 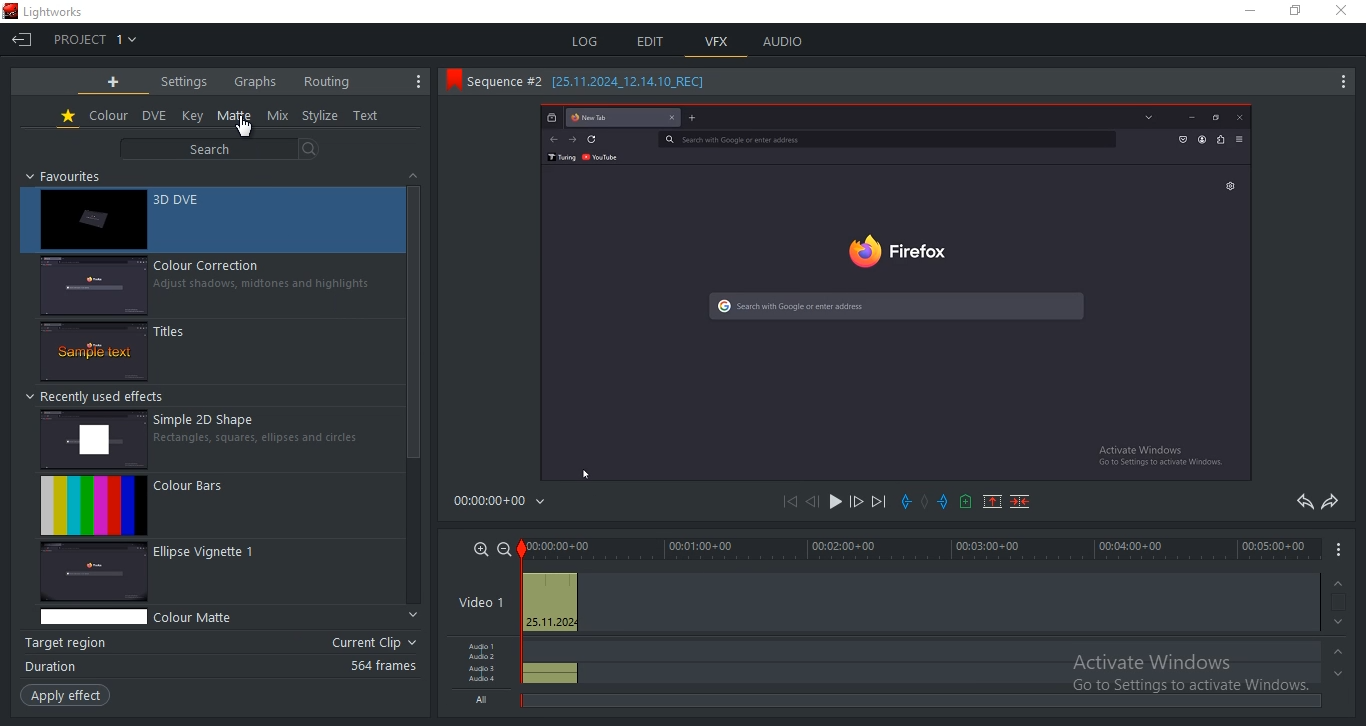 I want to click on graphs, so click(x=255, y=80).